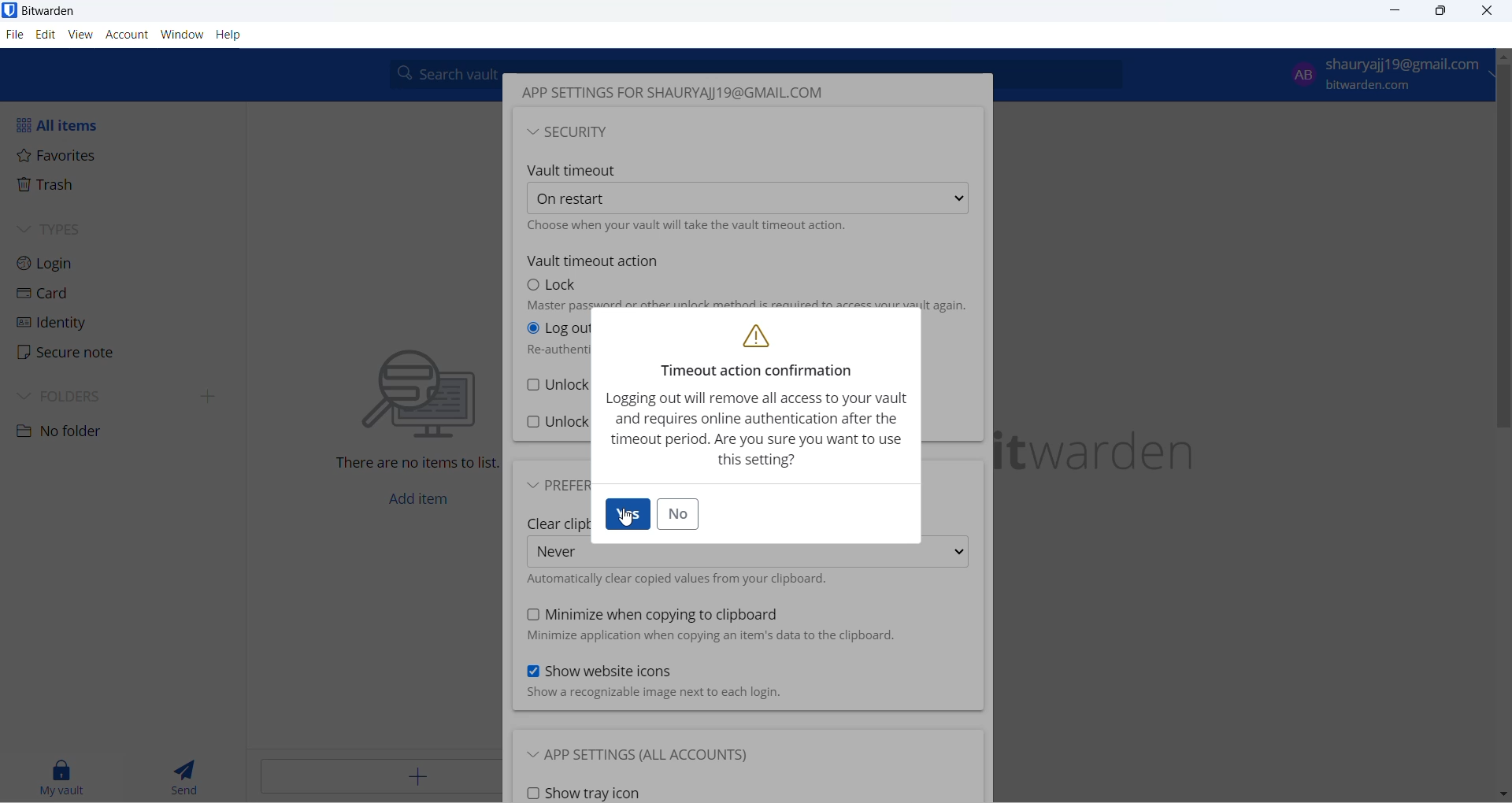 This screenshot has height=803, width=1512. What do you see at coordinates (62, 775) in the screenshot?
I see `my vault` at bounding box center [62, 775].